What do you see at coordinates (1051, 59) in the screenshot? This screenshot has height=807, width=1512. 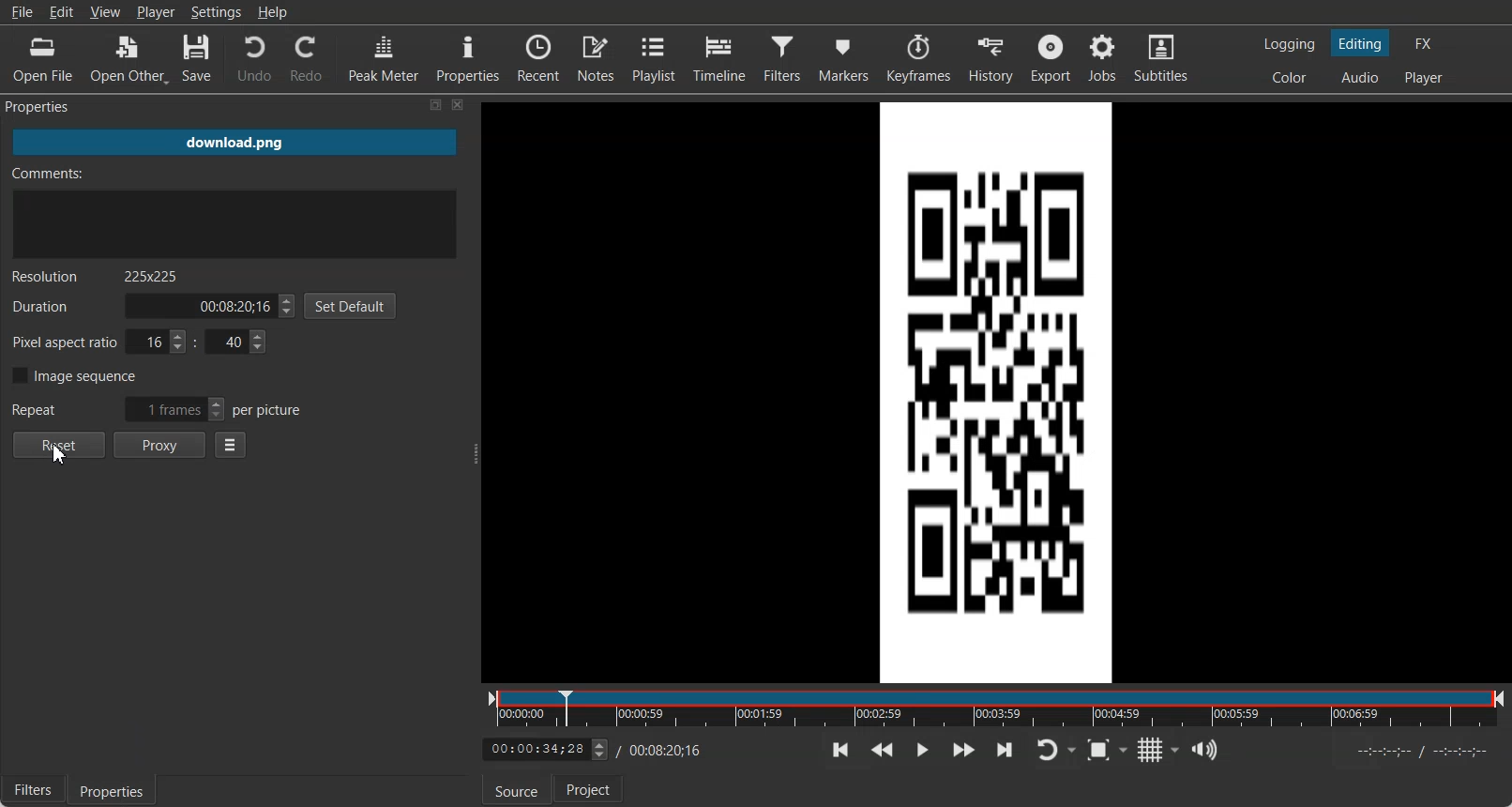 I see `Export` at bounding box center [1051, 59].